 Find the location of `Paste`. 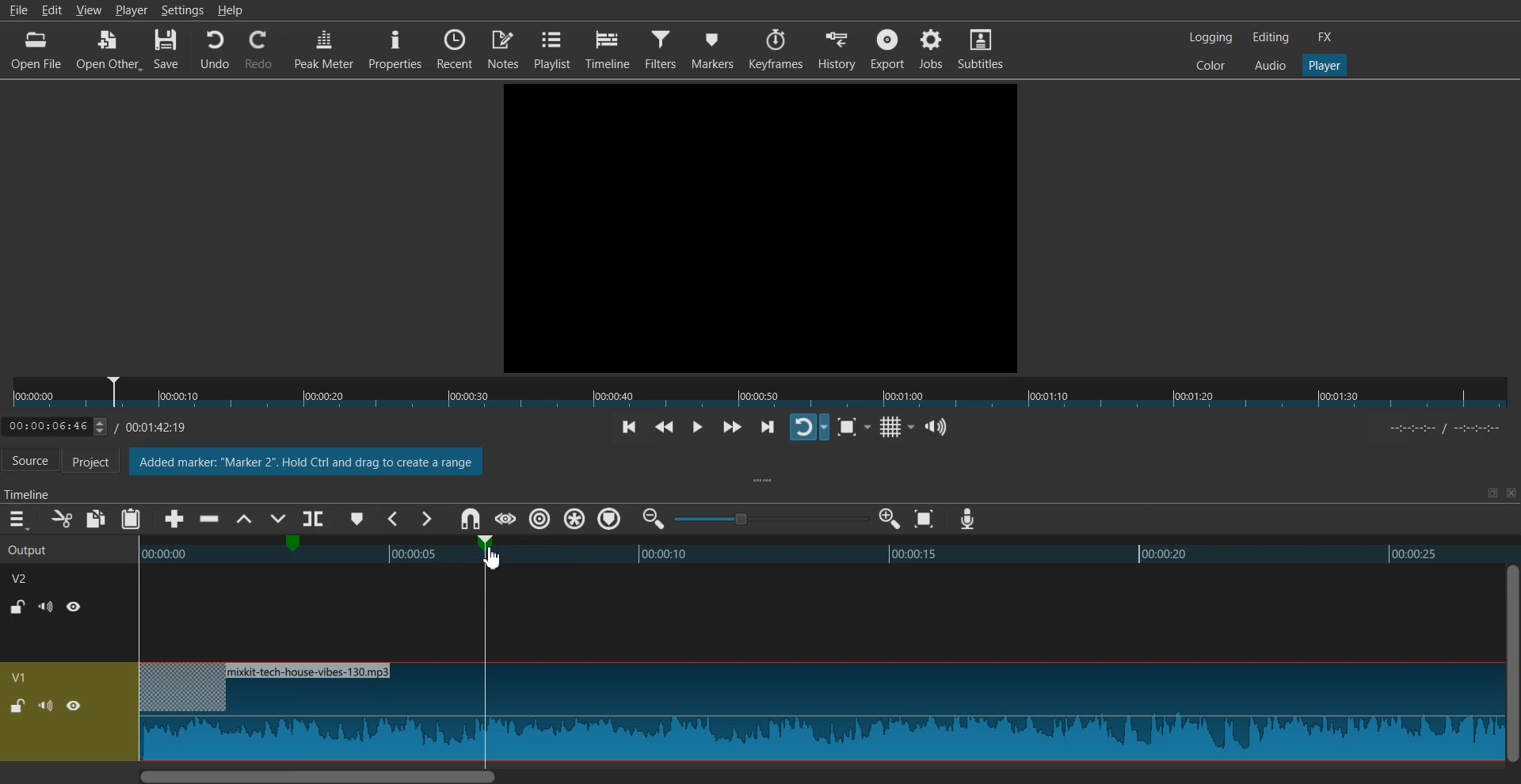

Paste is located at coordinates (131, 519).